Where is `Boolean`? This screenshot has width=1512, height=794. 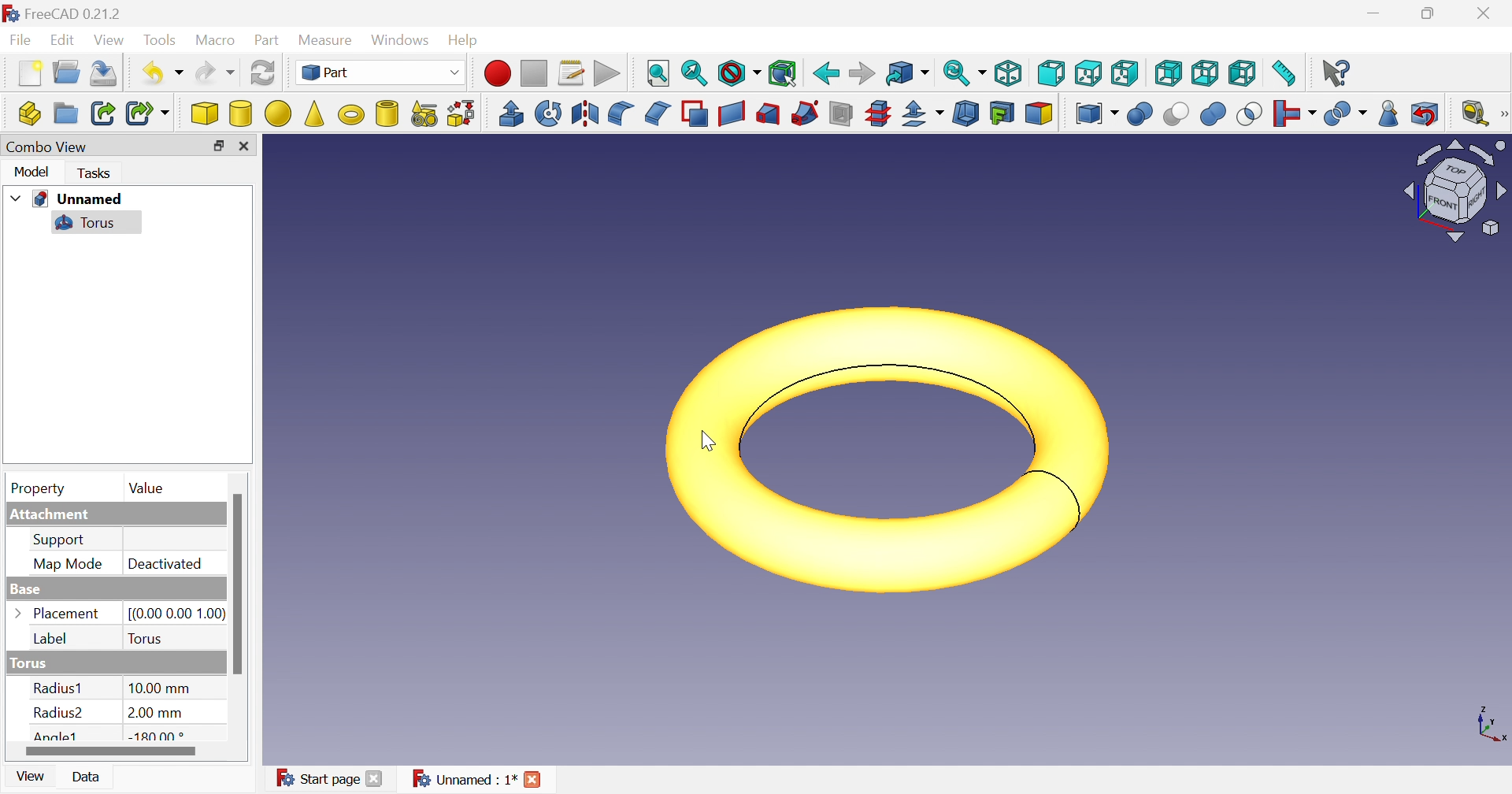 Boolean is located at coordinates (1140, 114).